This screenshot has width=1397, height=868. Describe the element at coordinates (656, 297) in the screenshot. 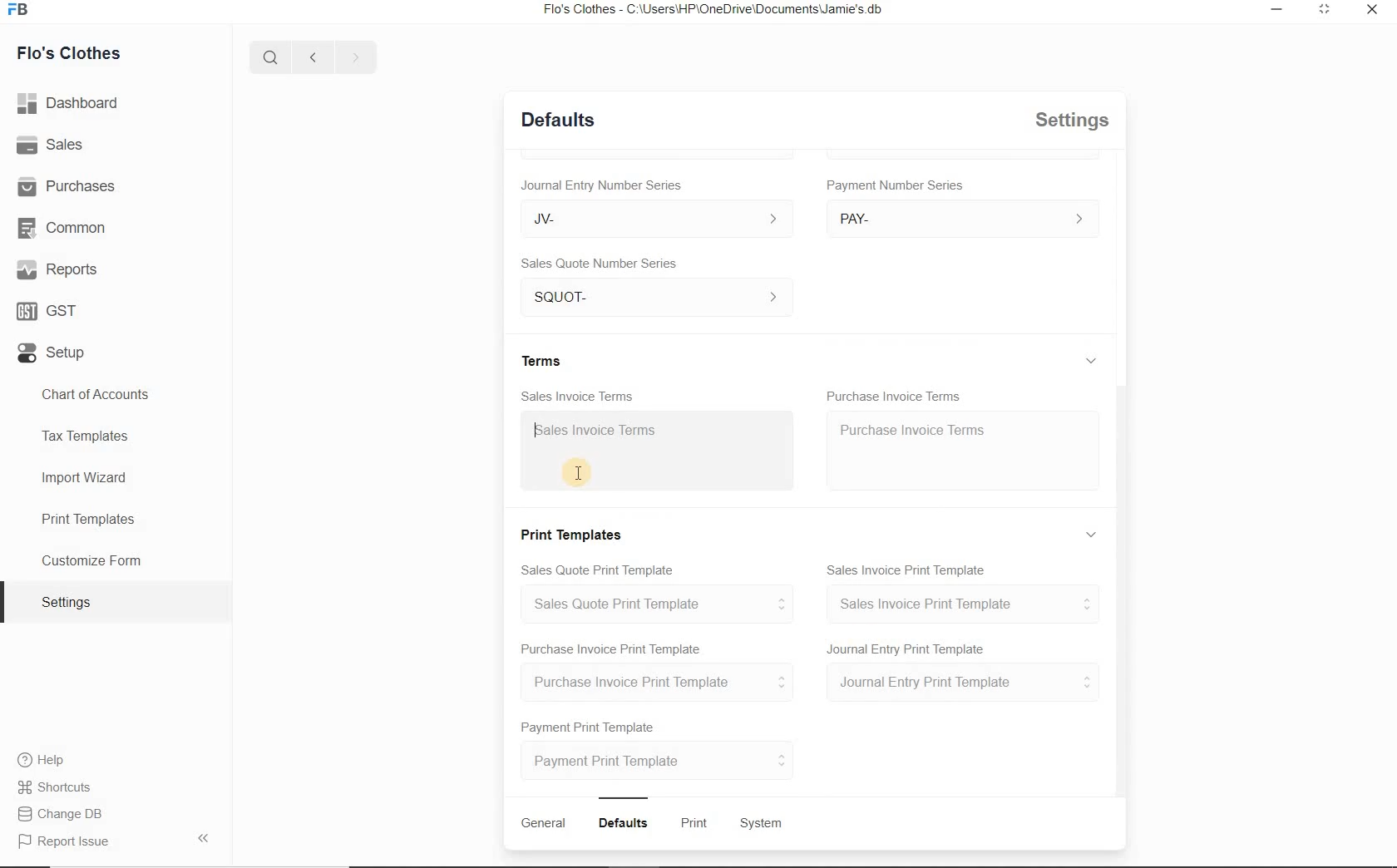

I see `SQUOT-` at that location.